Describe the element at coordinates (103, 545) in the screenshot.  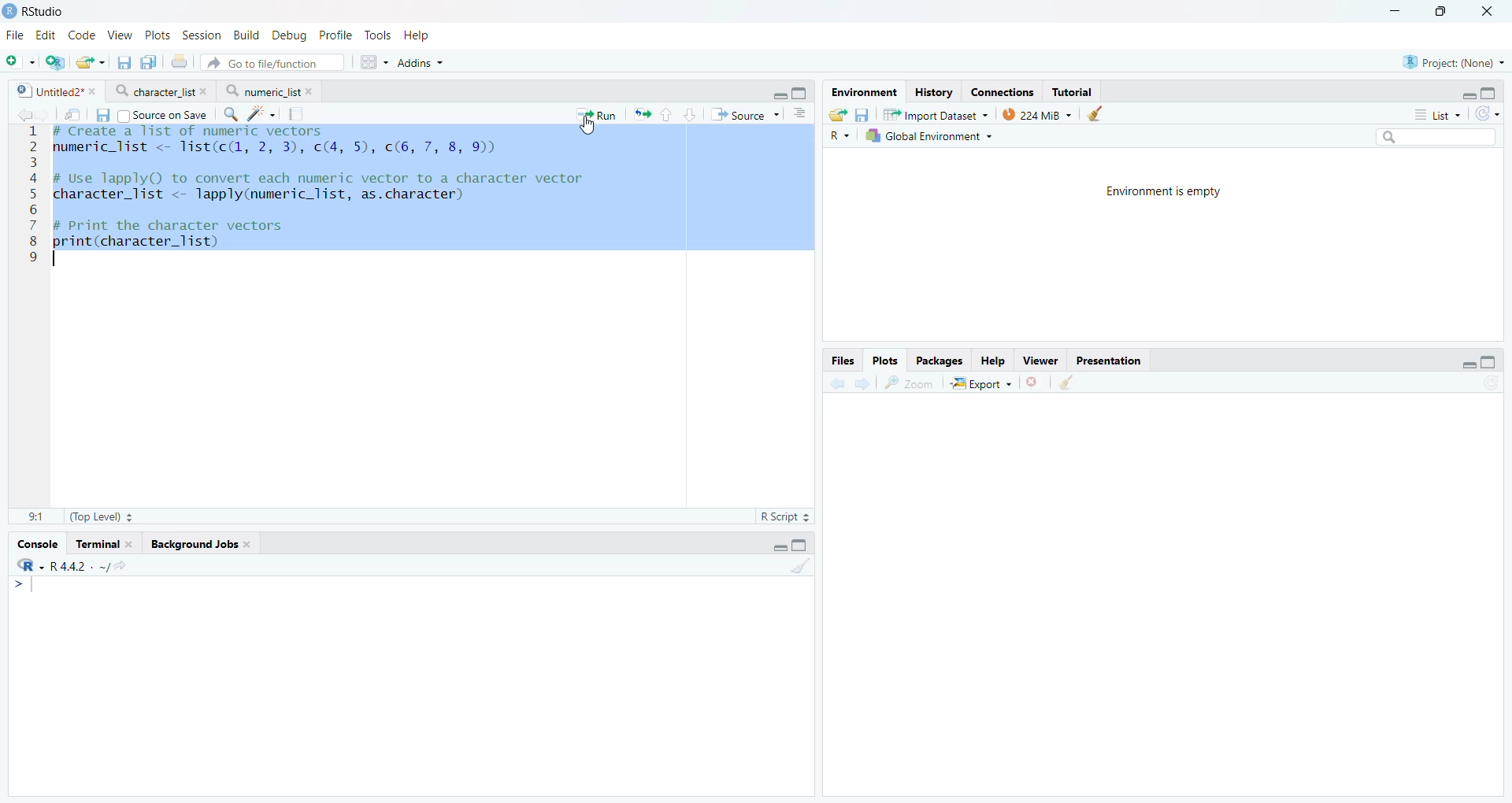
I see `Terminal` at that location.